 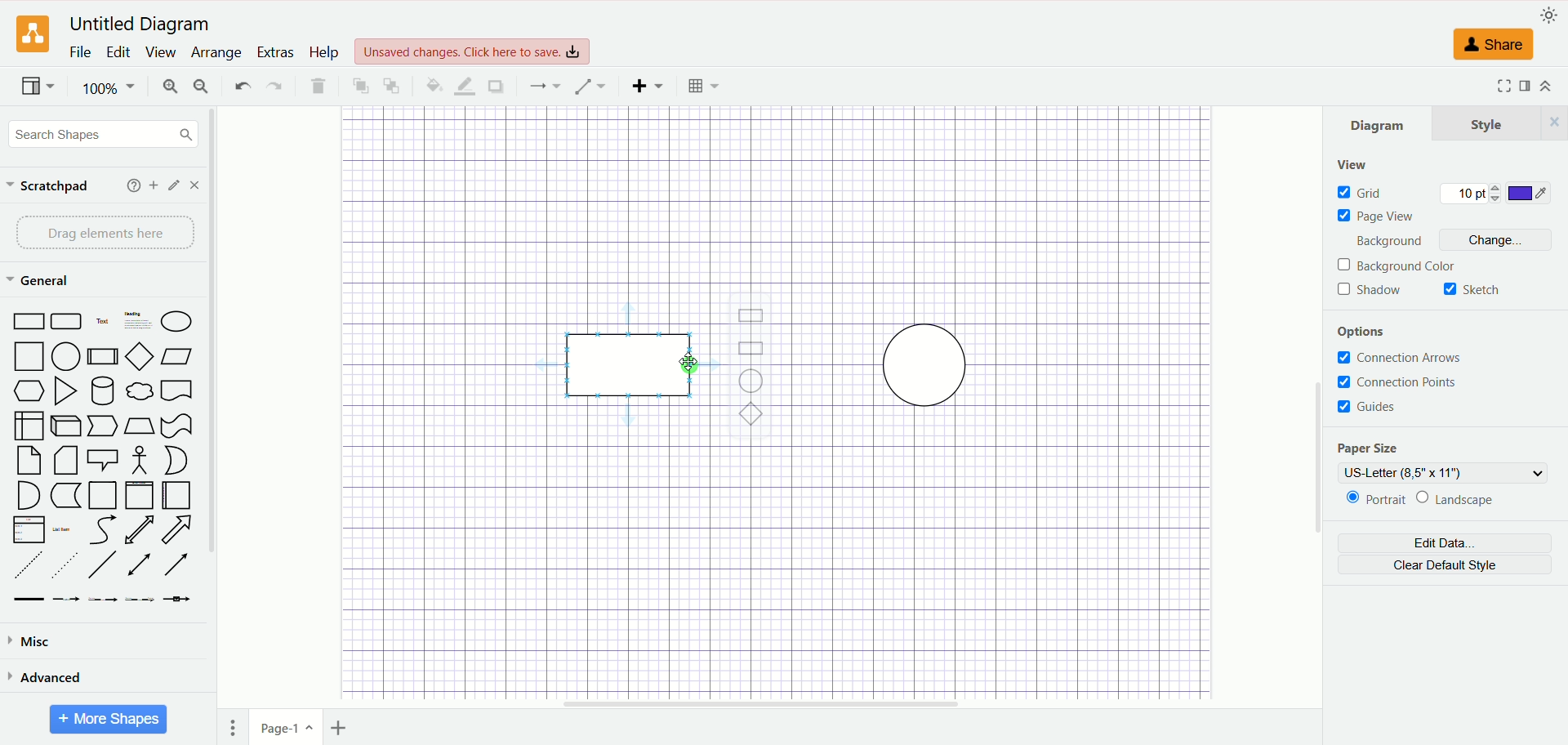 What do you see at coordinates (1317, 408) in the screenshot?
I see `vertical scroll bar` at bounding box center [1317, 408].